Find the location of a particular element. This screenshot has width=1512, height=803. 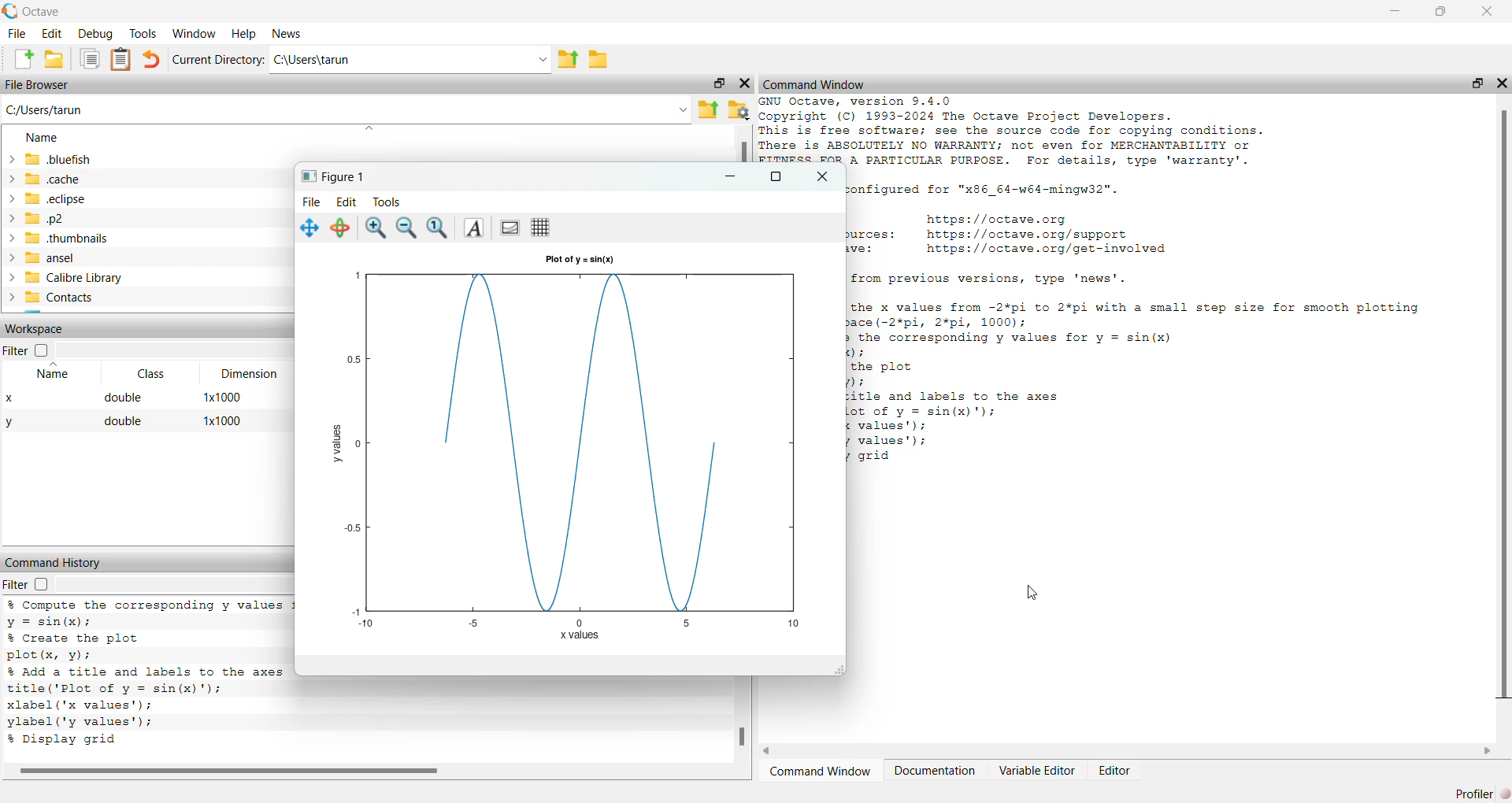

resize is located at coordinates (1440, 13).